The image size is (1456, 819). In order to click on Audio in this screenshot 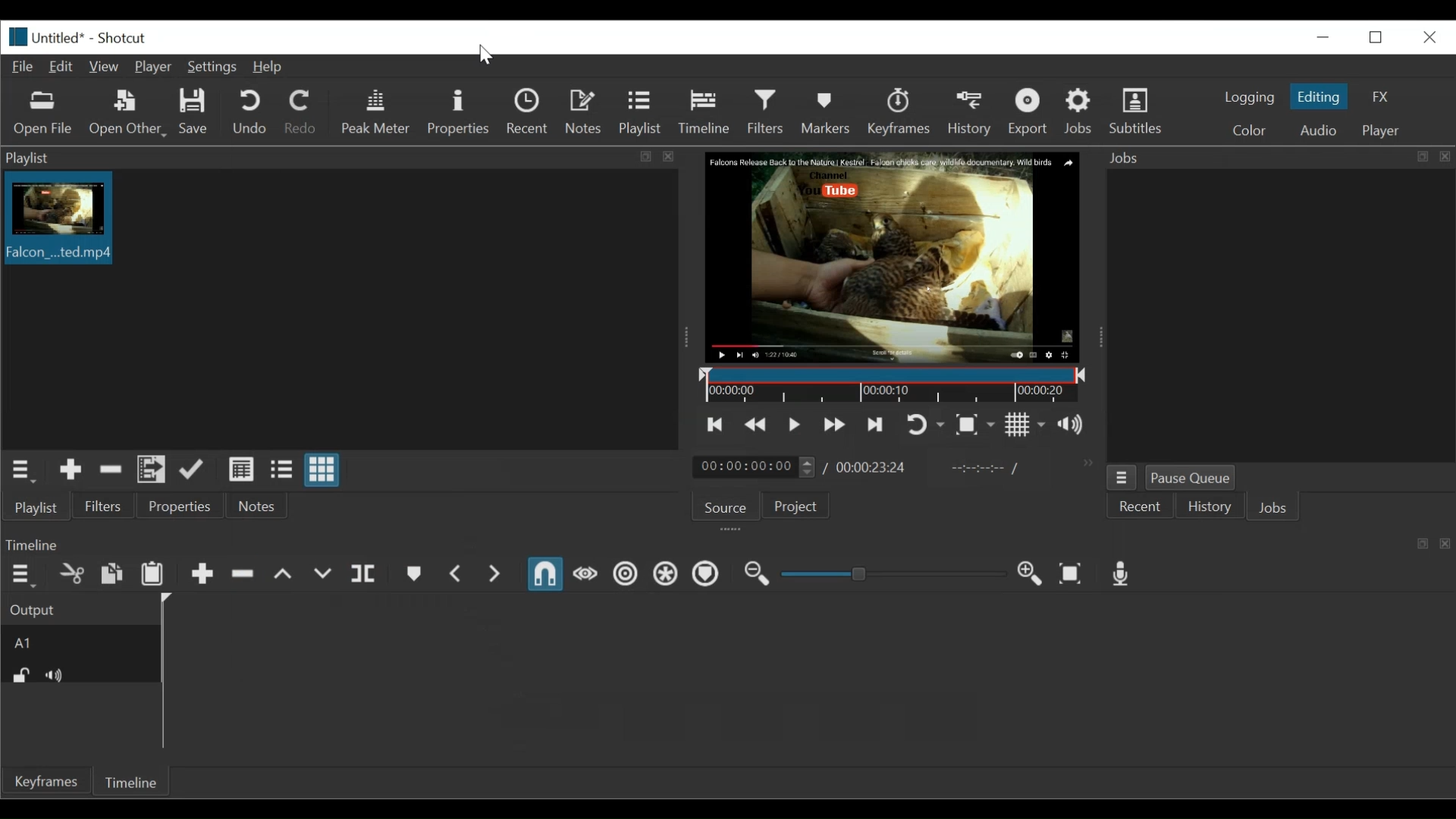, I will do `click(1318, 130)`.